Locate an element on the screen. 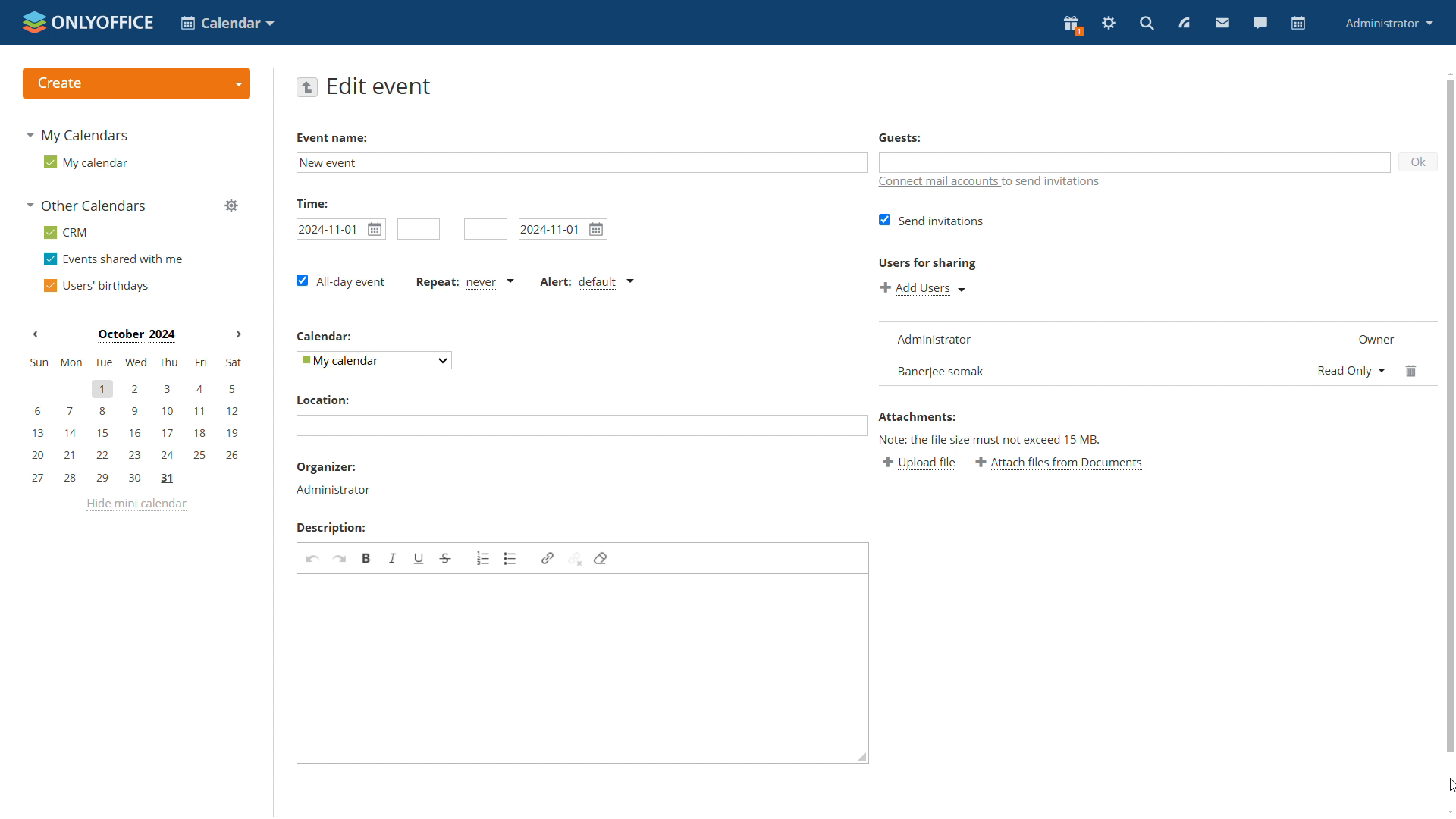 The height and width of the screenshot is (819, 1456). mini calendar is located at coordinates (135, 421).